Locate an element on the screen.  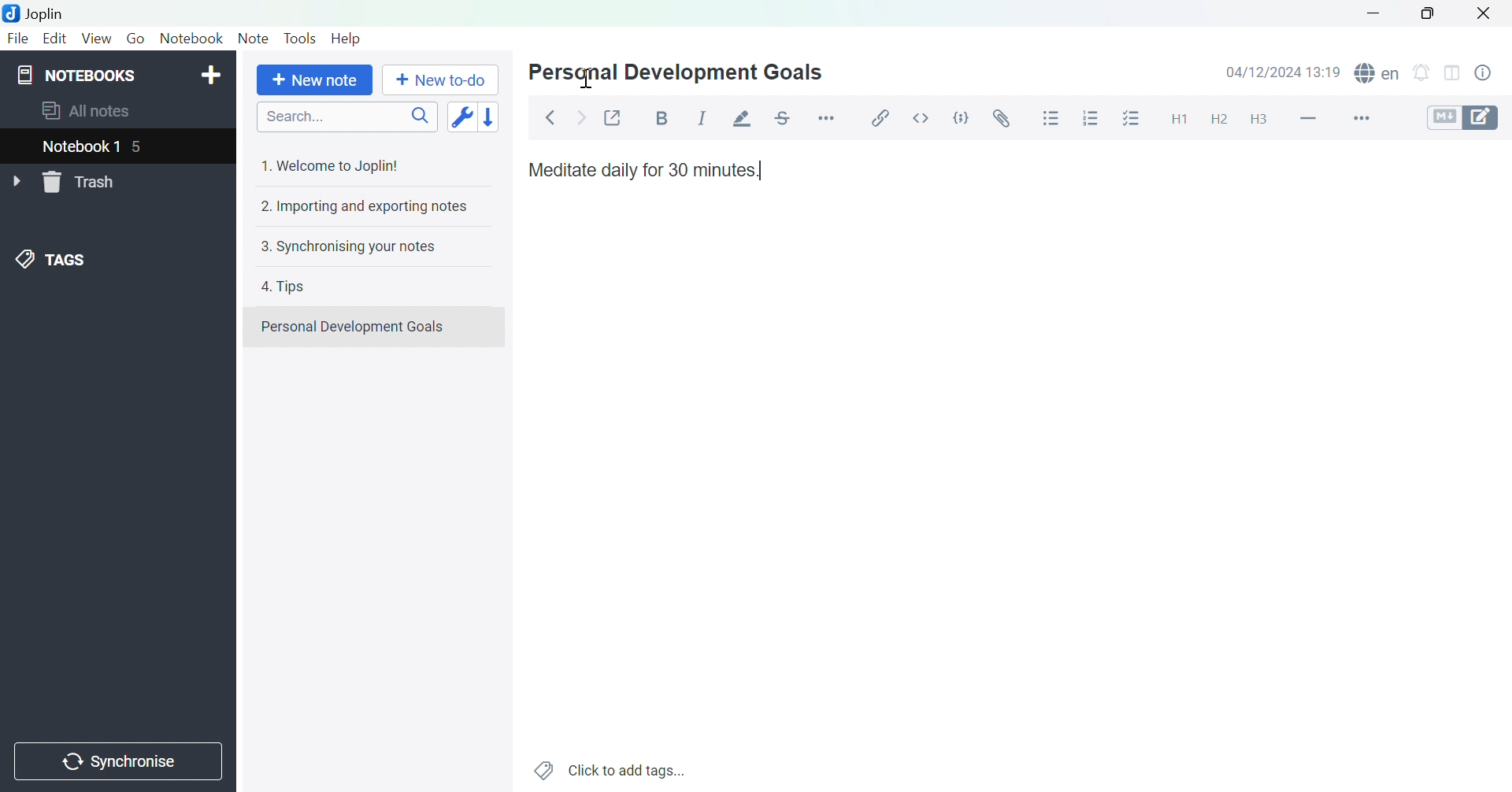
Help is located at coordinates (346, 39).